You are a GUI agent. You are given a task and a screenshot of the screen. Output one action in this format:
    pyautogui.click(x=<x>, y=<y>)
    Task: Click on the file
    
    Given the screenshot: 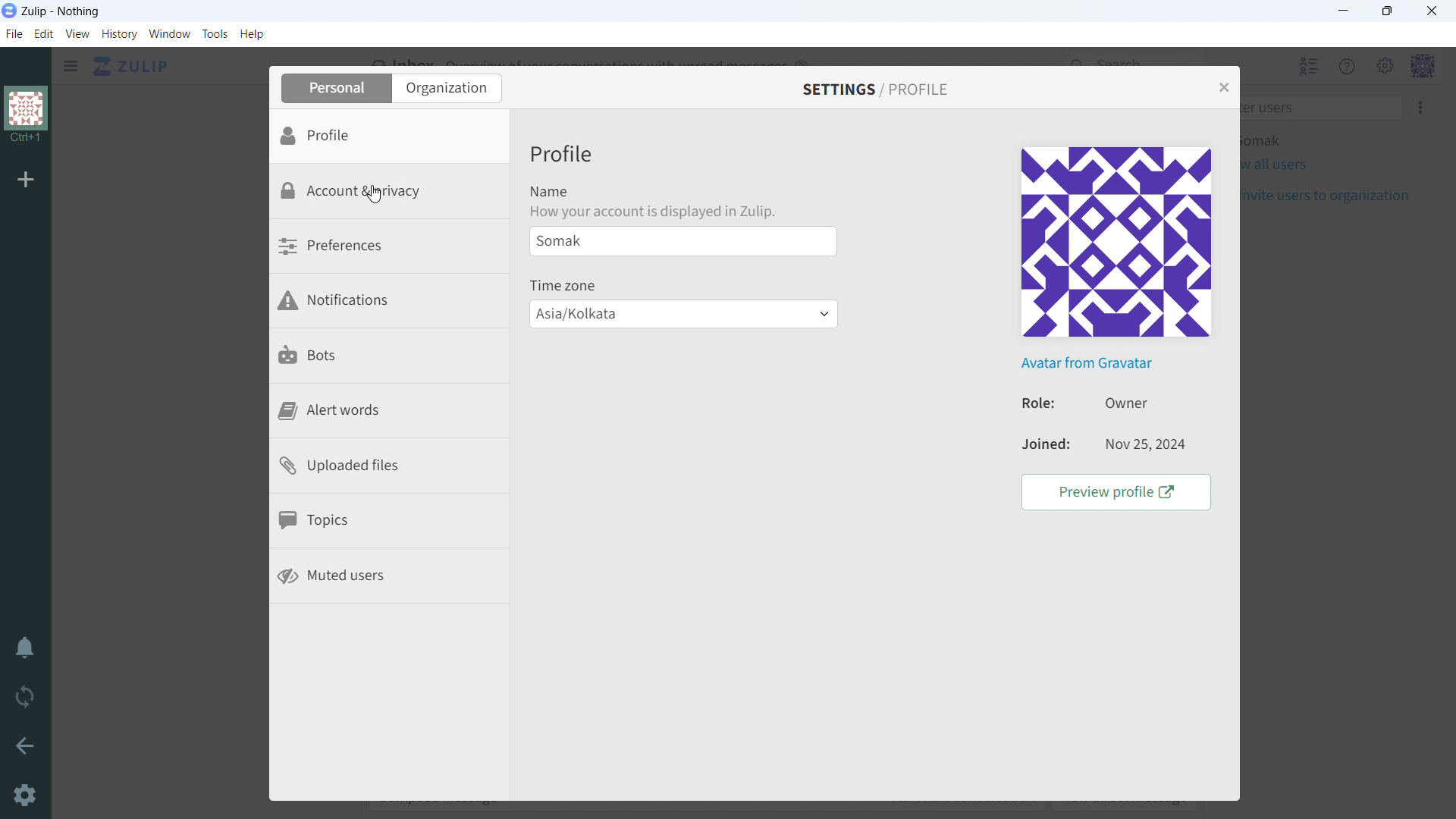 What is the action you would take?
    pyautogui.click(x=14, y=33)
    